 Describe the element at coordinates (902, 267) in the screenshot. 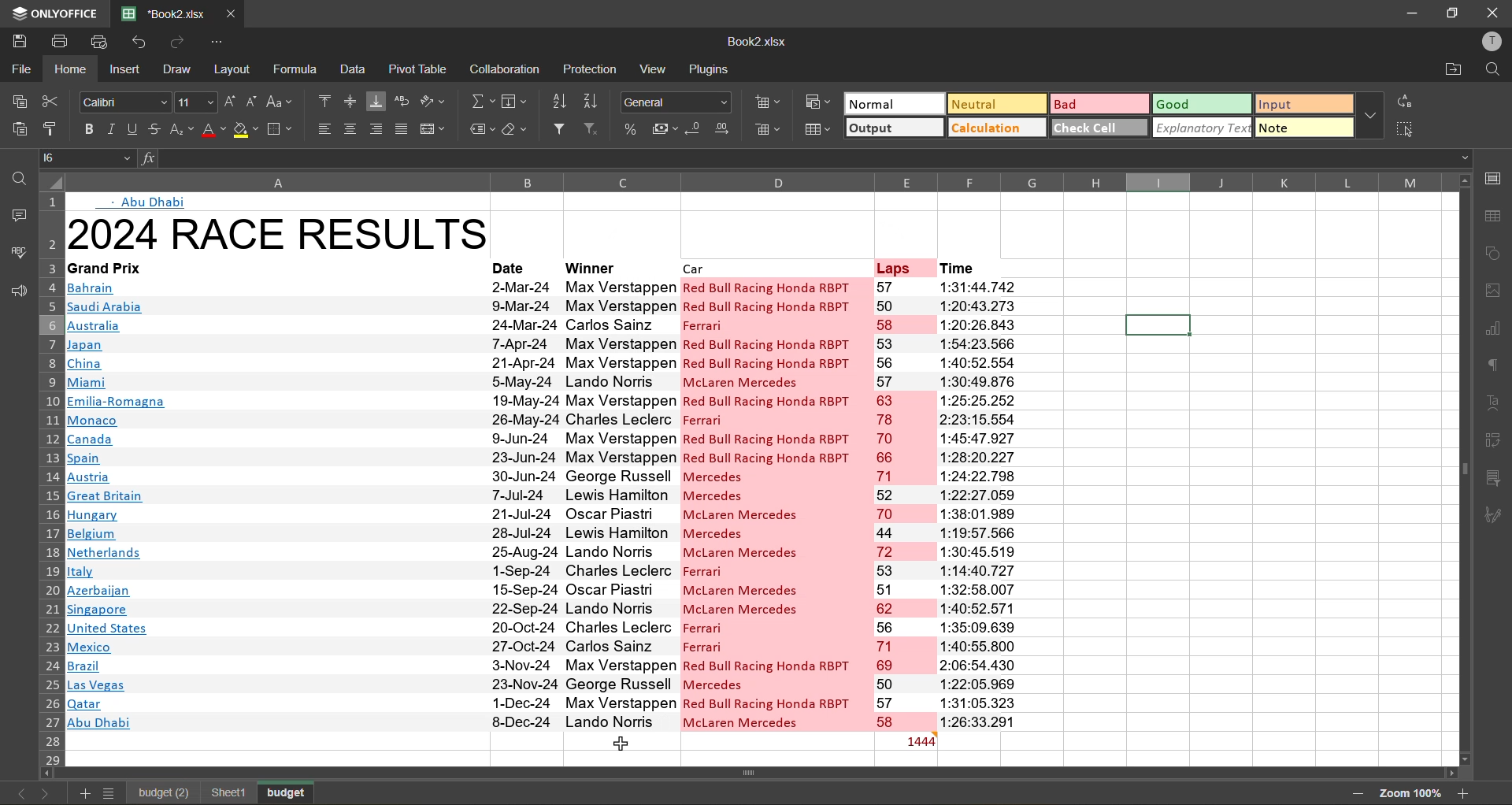

I see `laps` at that location.